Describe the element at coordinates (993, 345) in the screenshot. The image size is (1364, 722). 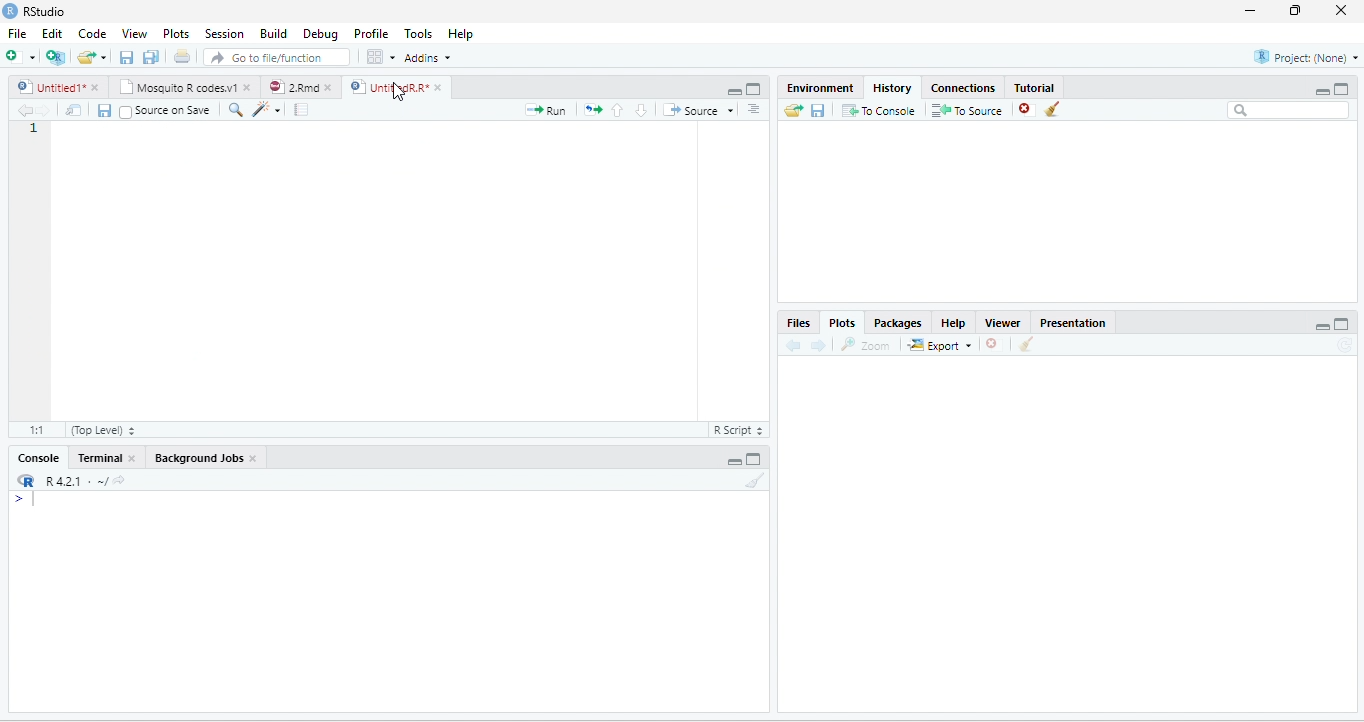
I see `Remove current plot` at that location.